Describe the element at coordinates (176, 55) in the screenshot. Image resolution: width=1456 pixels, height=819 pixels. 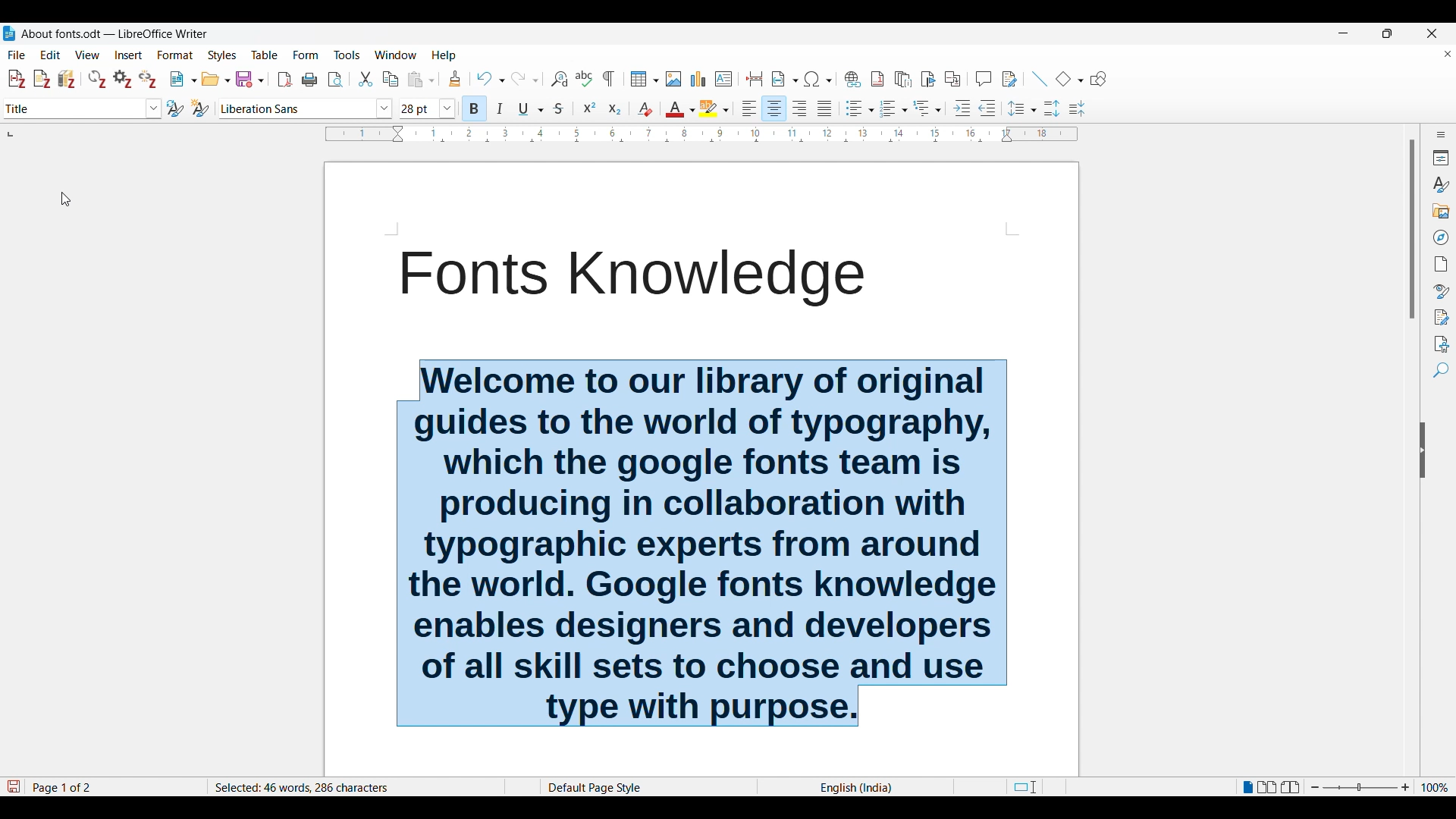
I see `Format menu` at that location.